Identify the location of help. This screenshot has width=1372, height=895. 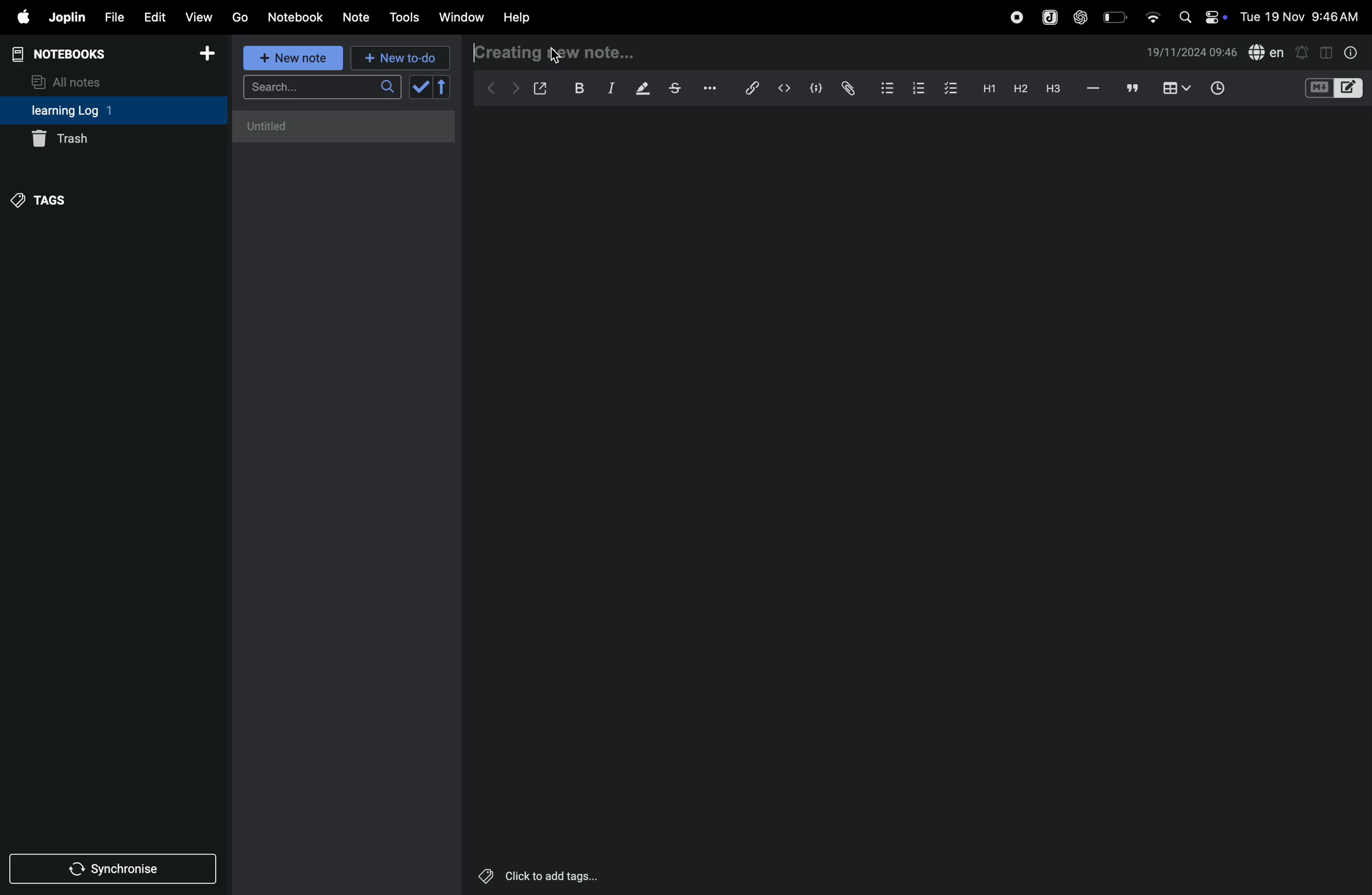
(517, 17).